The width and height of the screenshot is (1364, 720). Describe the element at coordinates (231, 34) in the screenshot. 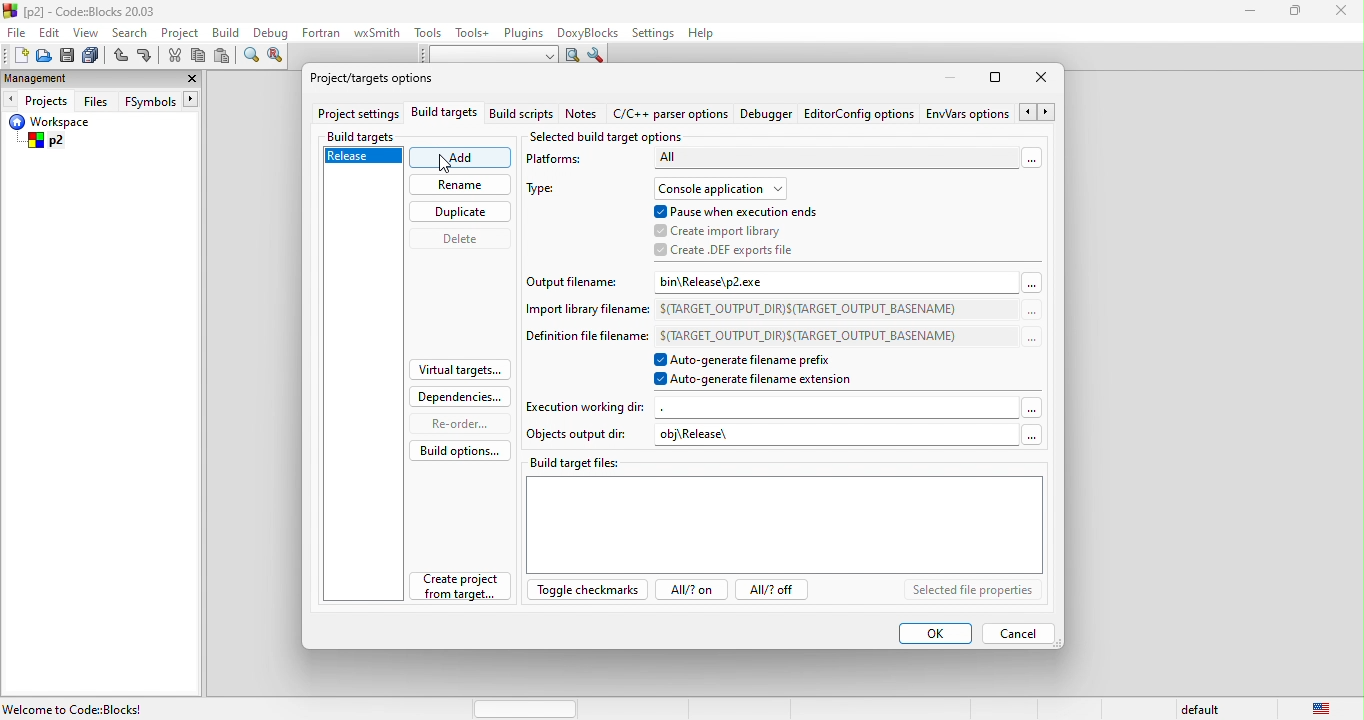

I see `build` at that location.